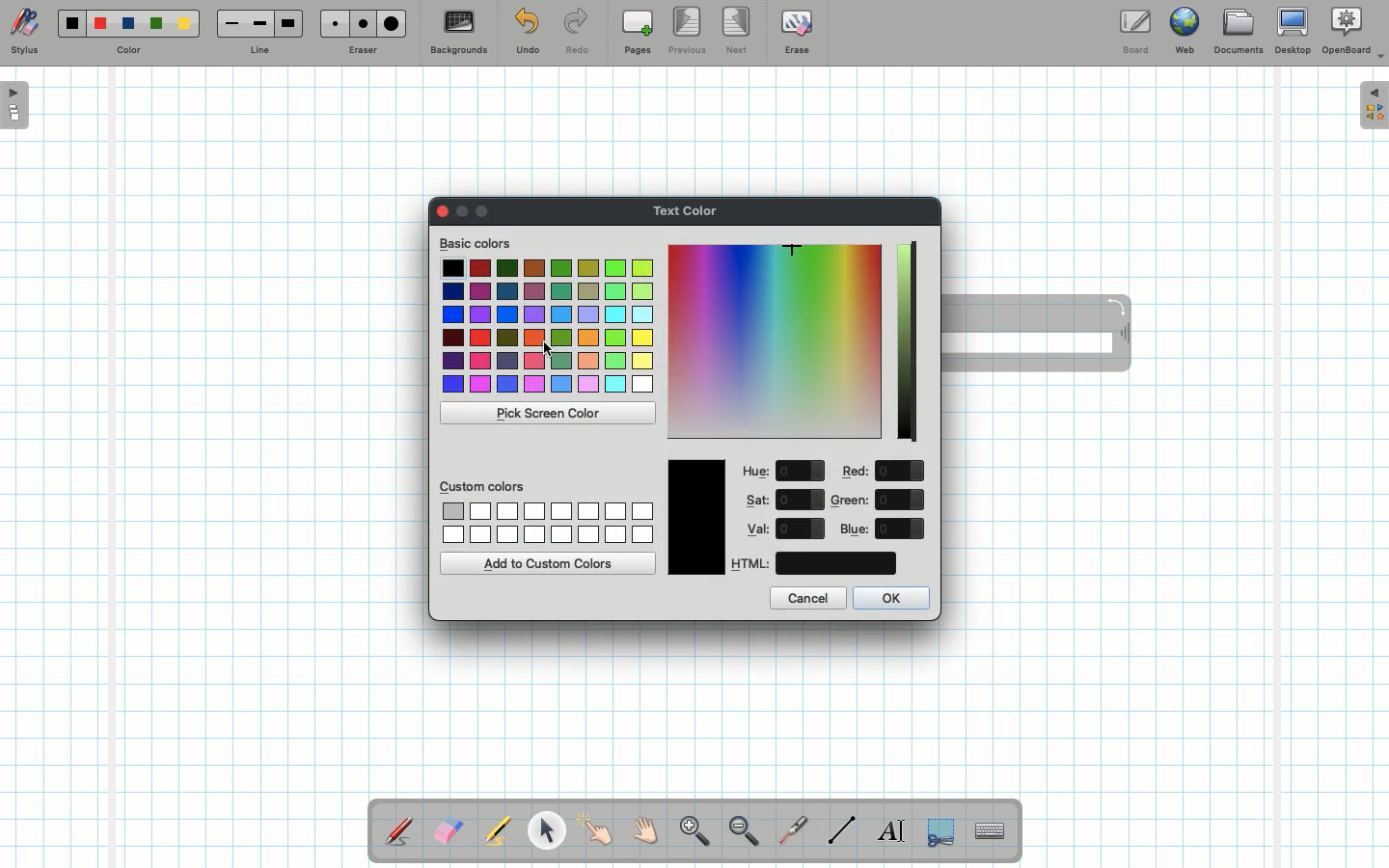  Describe the element at coordinates (1134, 32) in the screenshot. I see `Board` at that location.